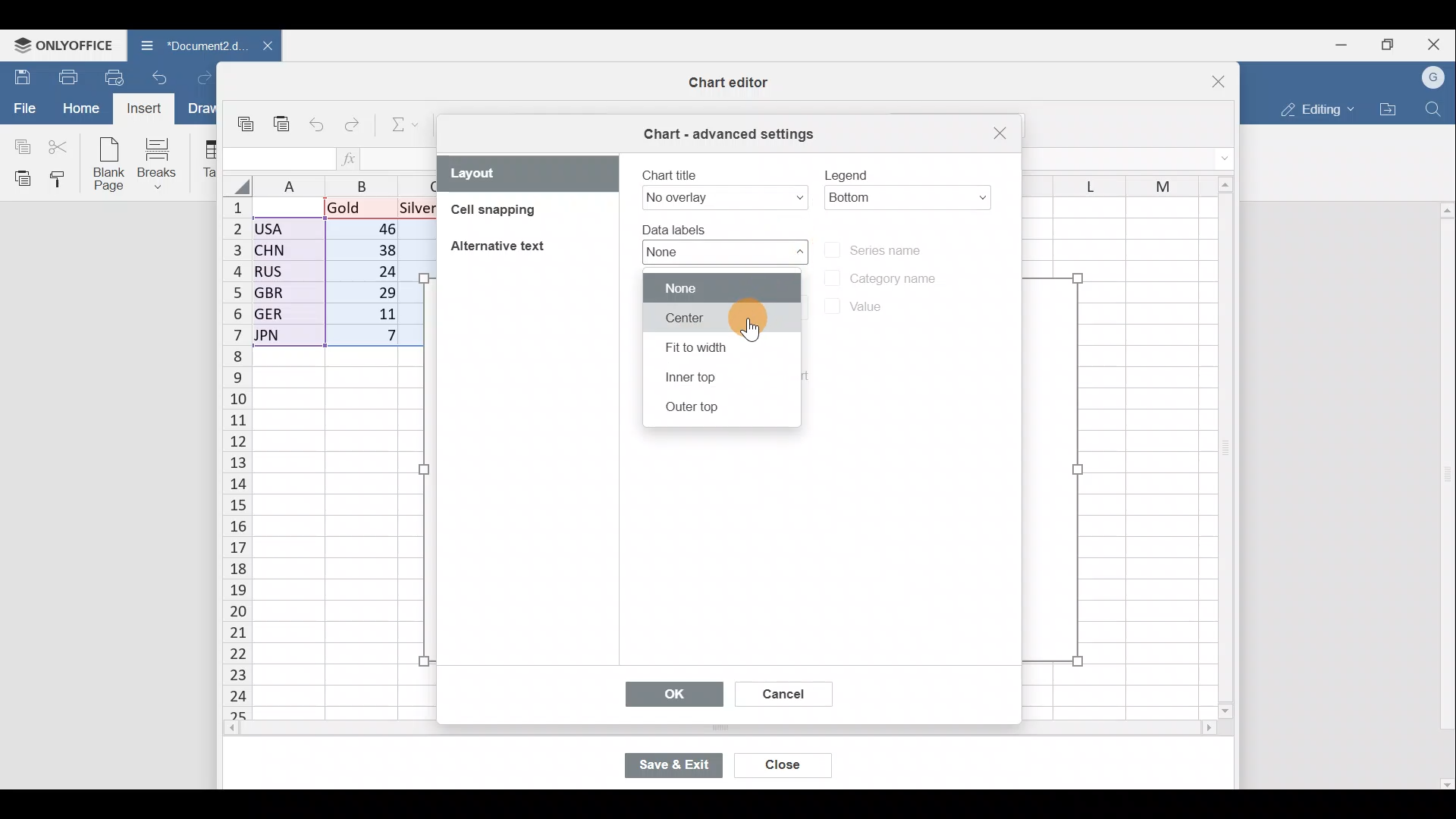  Describe the element at coordinates (715, 244) in the screenshot. I see `Data labels` at that location.